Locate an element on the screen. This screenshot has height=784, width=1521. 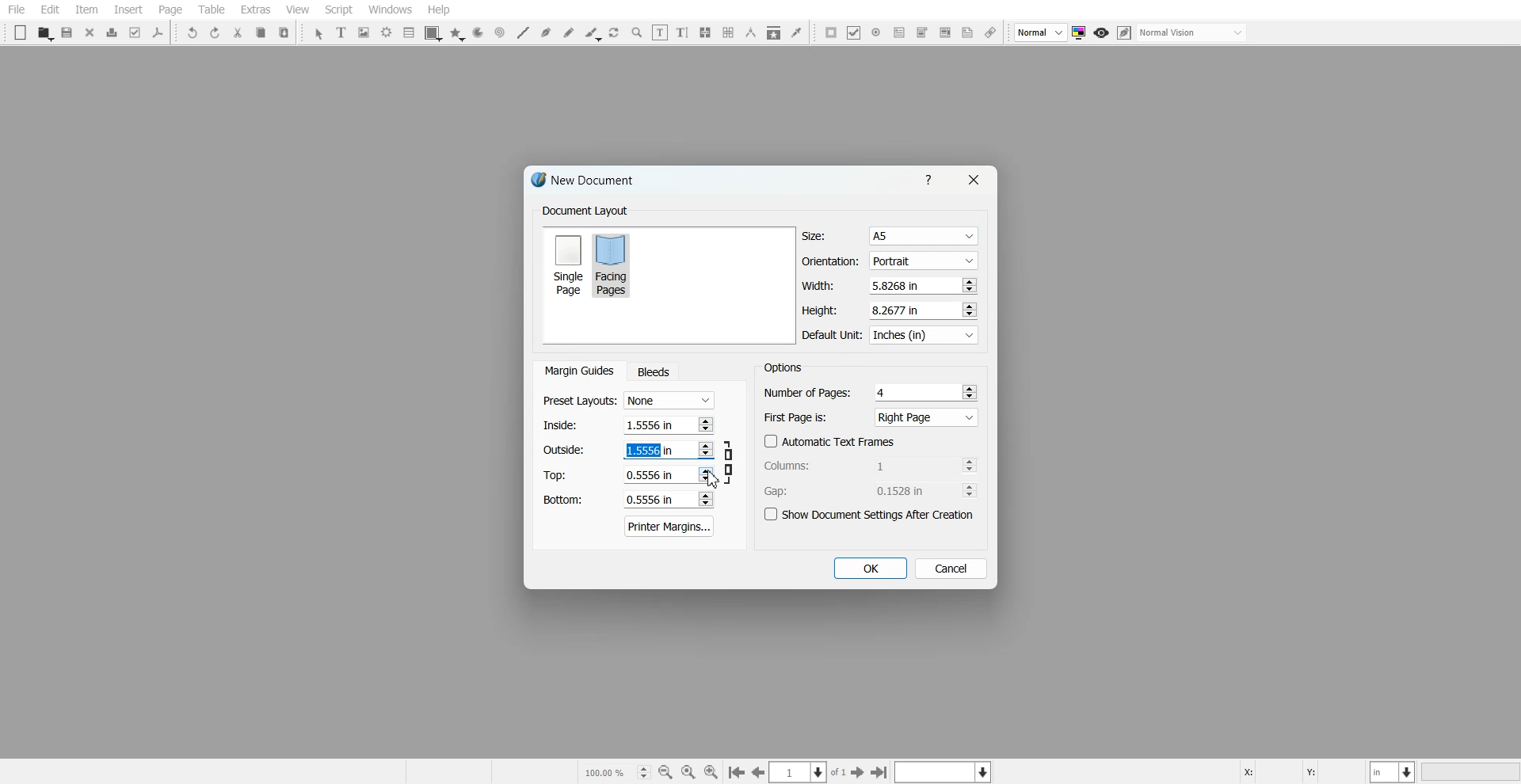
Cursor is located at coordinates (714, 478).